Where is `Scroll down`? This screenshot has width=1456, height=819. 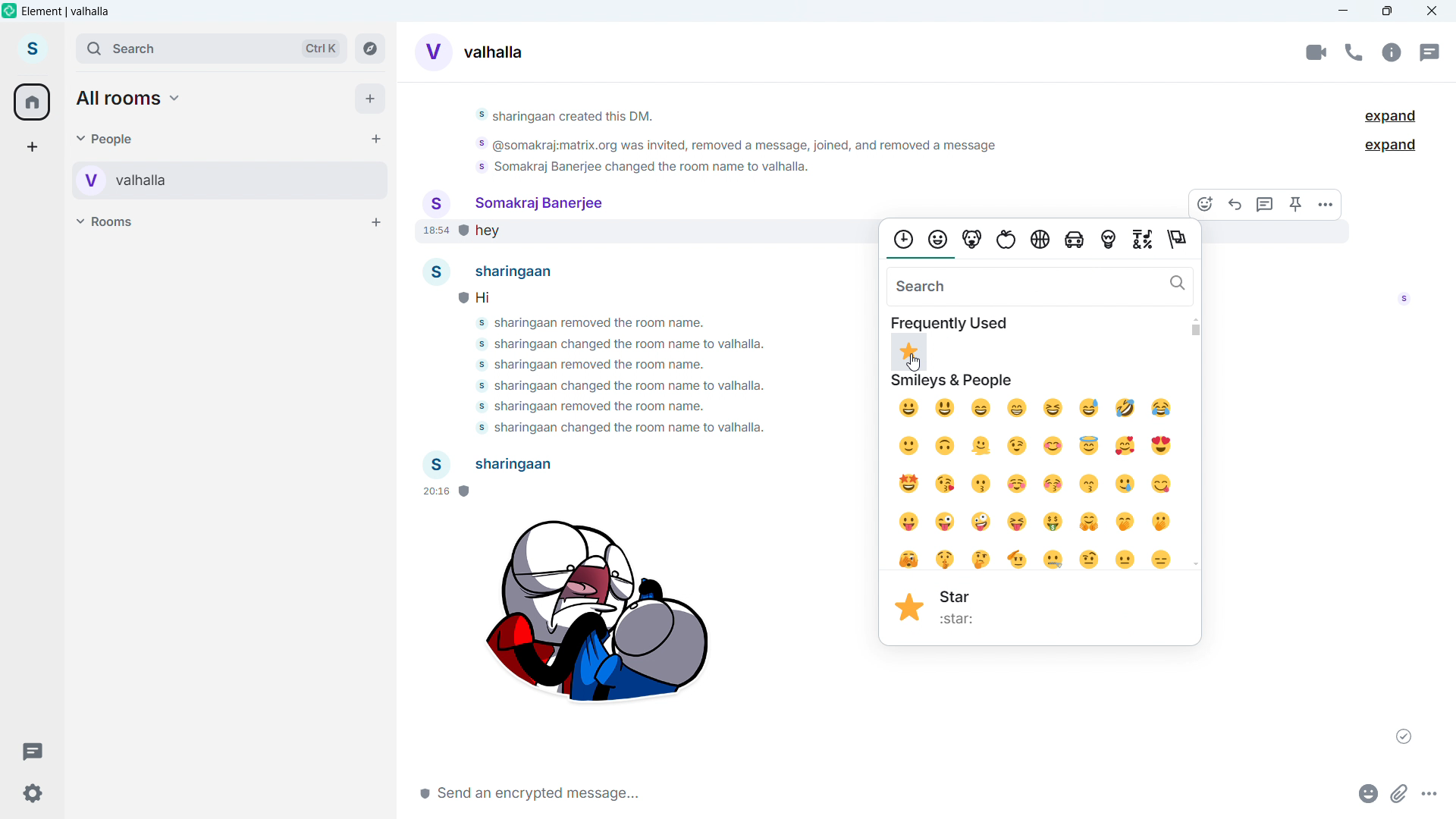
Scroll down is located at coordinates (1196, 563).